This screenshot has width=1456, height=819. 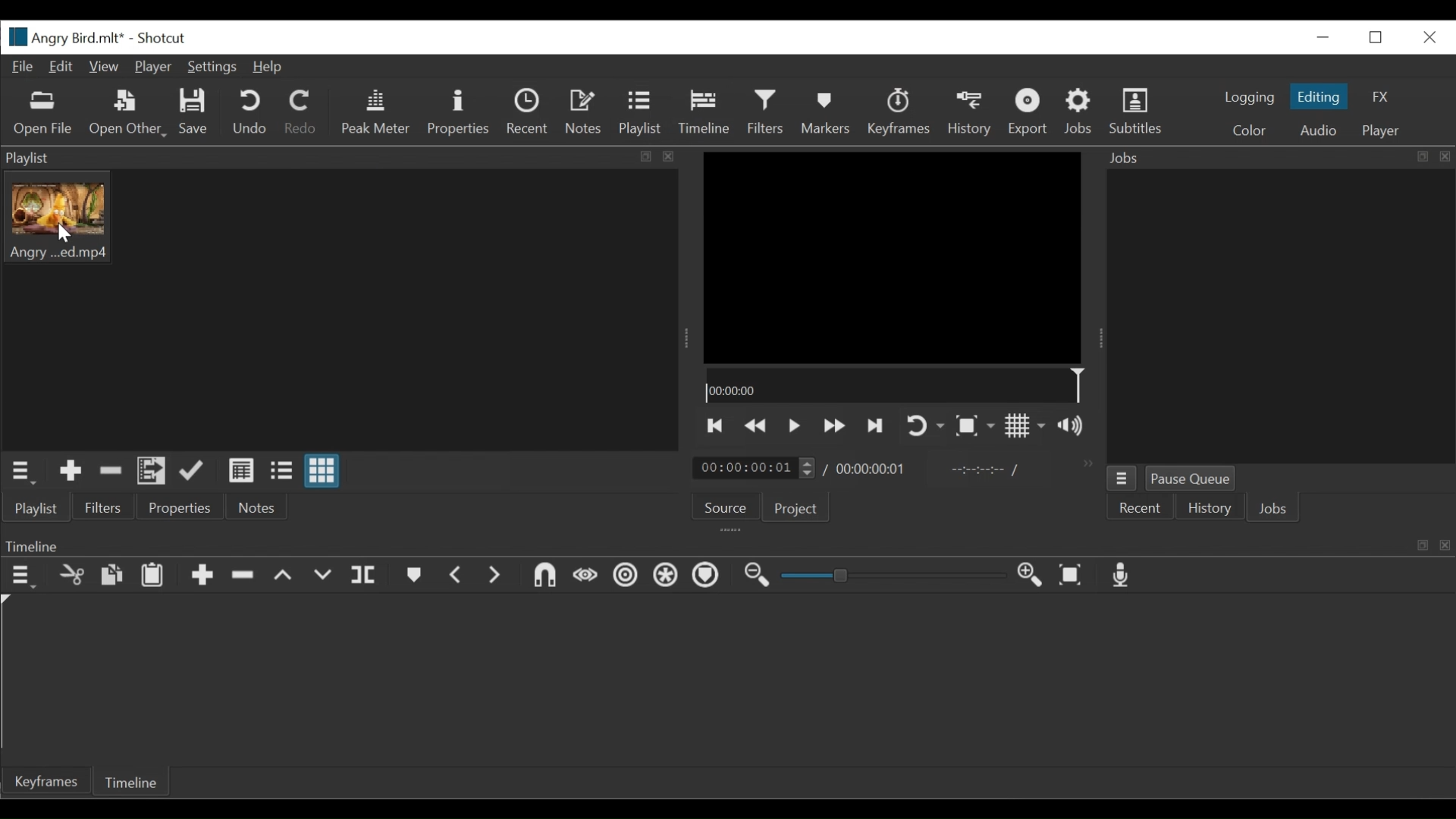 What do you see at coordinates (281, 472) in the screenshot?
I see `View as files` at bounding box center [281, 472].